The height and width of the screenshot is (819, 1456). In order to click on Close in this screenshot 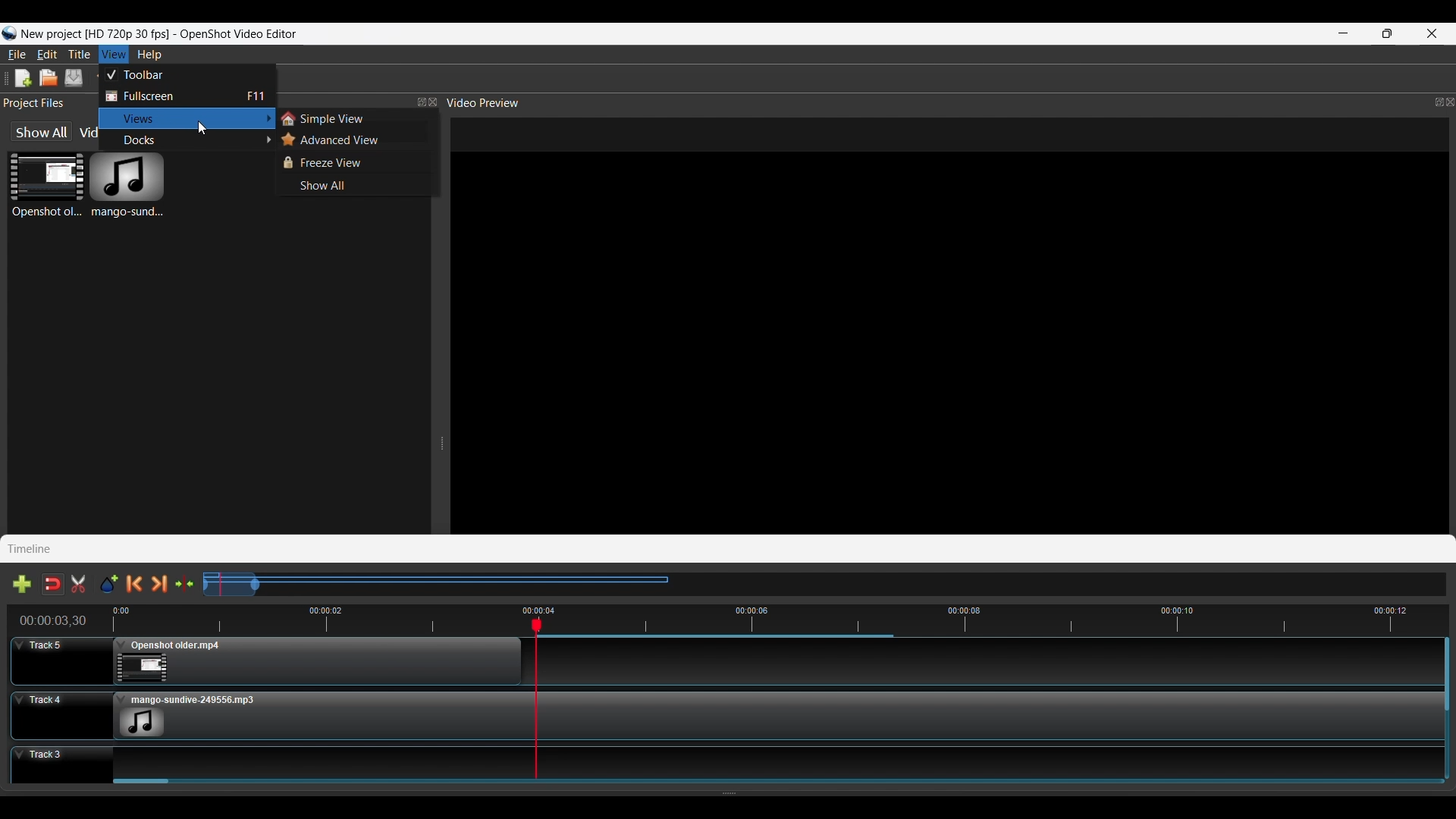, I will do `click(1447, 104)`.